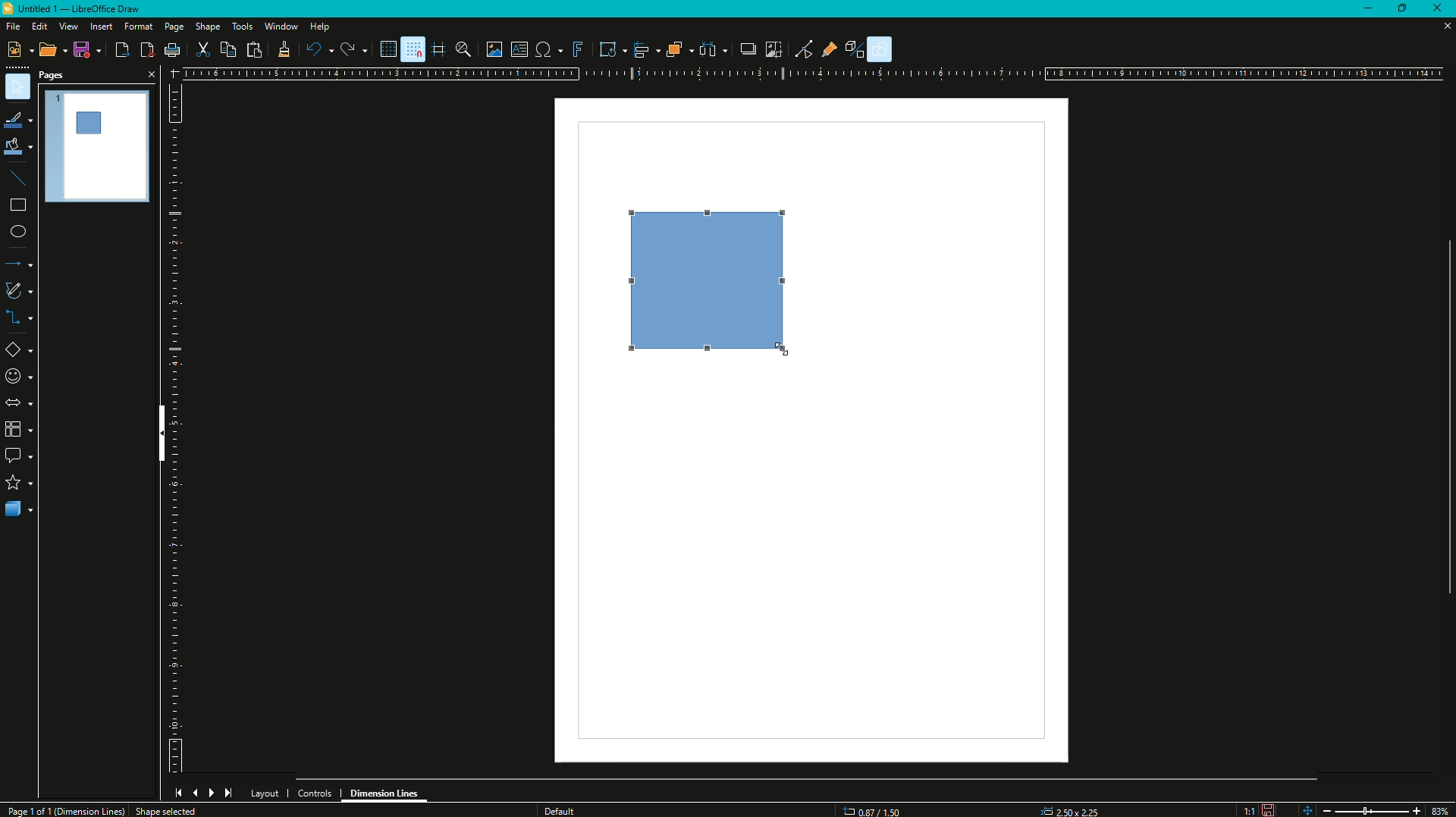 The height and width of the screenshot is (817, 1456). What do you see at coordinates (803, 49) in the screenshot?
I see `Toggle Point Edit Mode` at bounding box center [803, 49].